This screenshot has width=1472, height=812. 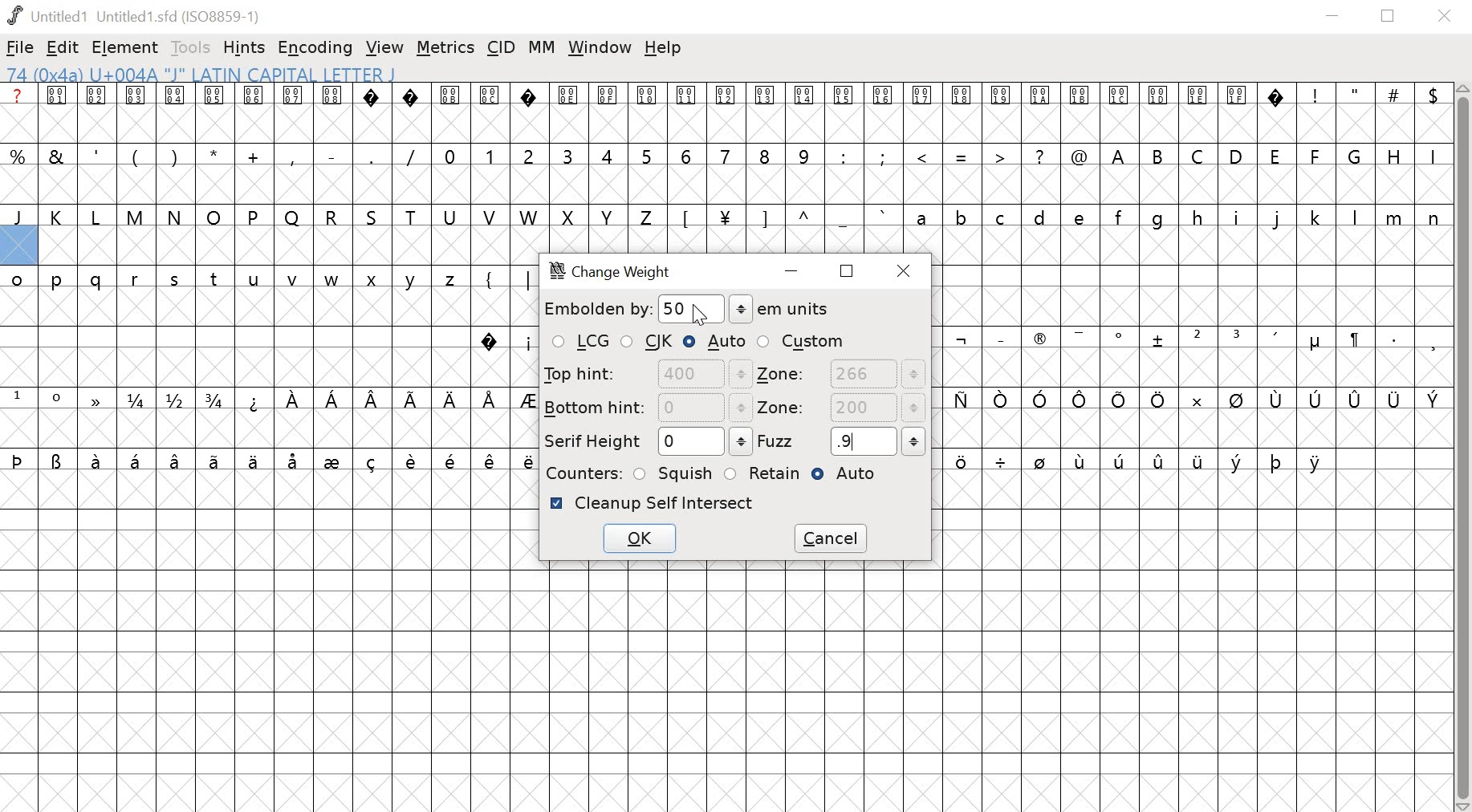 What do you see at coordinates (127, 48) in the screenshot?
I see `ELEMENT` at bounding box center [127, 48].